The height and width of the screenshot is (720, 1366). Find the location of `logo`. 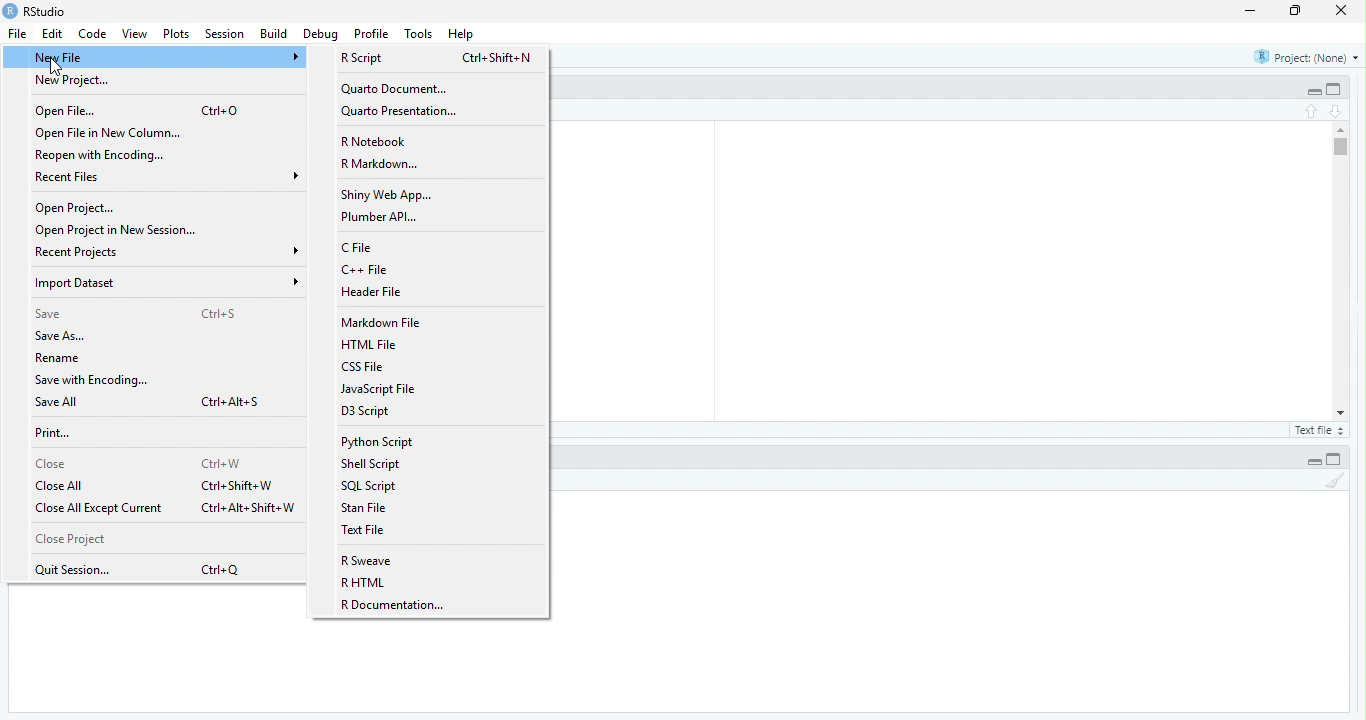

logo is located at coordinates (11, 10).